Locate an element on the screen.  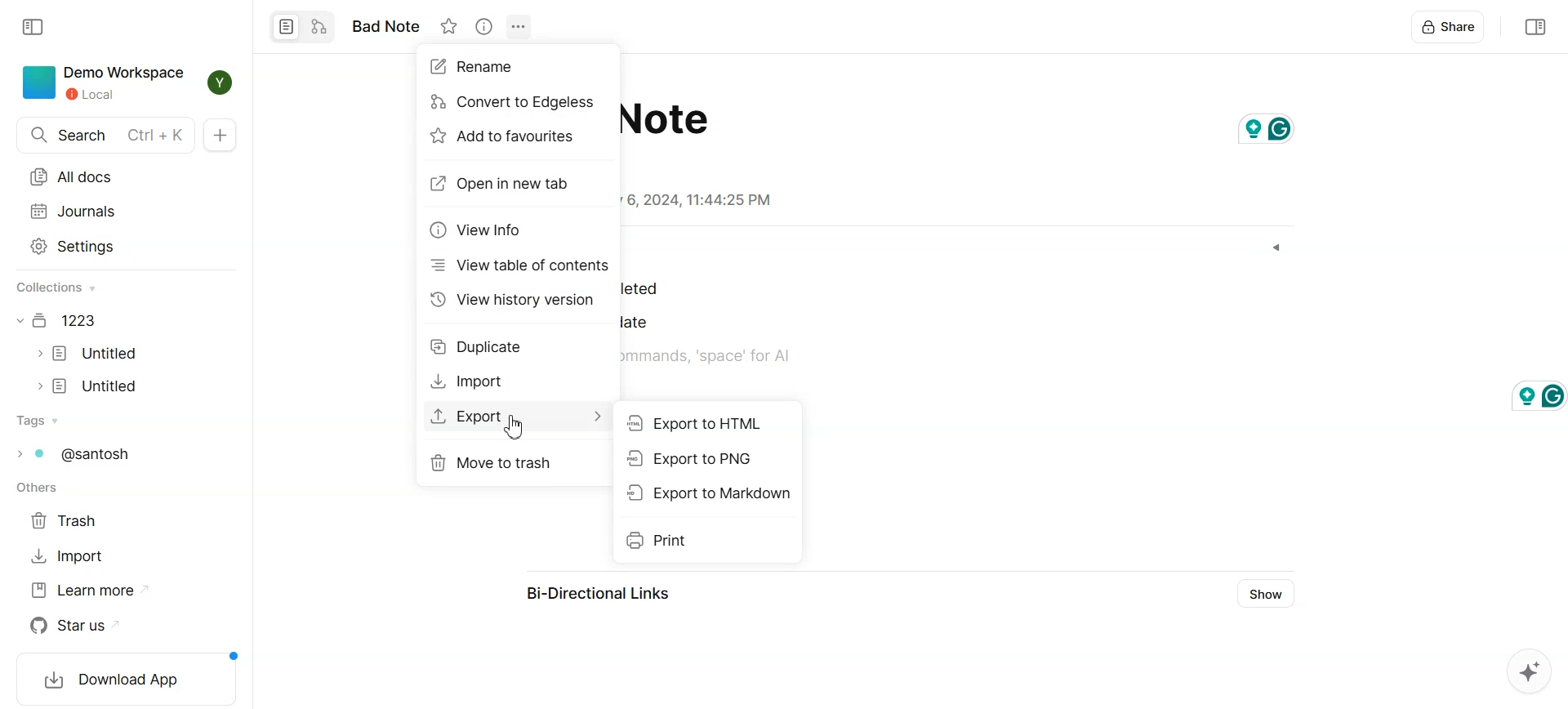
Document file is located at coordinates (89, 386).